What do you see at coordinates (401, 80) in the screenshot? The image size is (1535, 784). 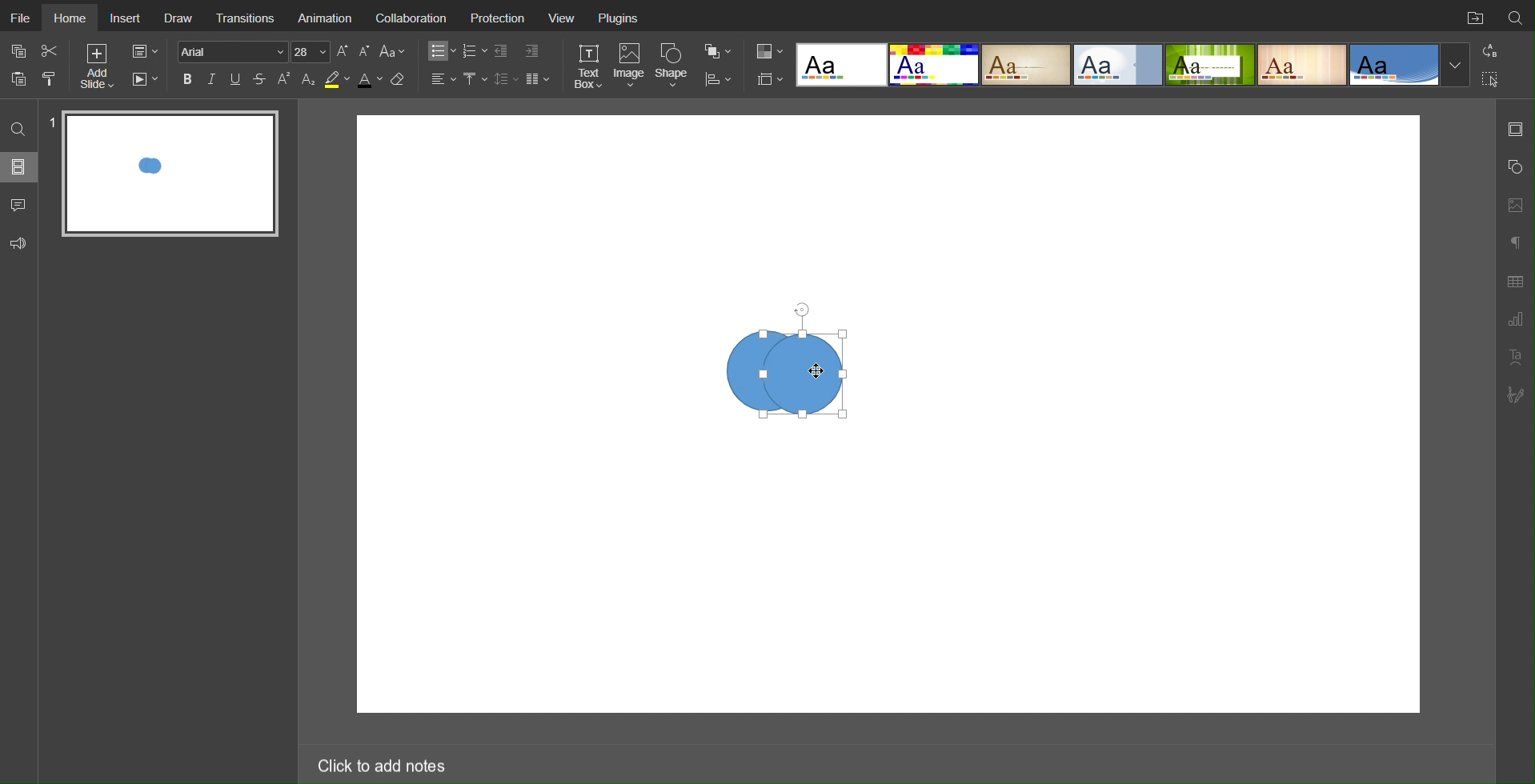 I see `Erase` at bounding box center [401, 80].